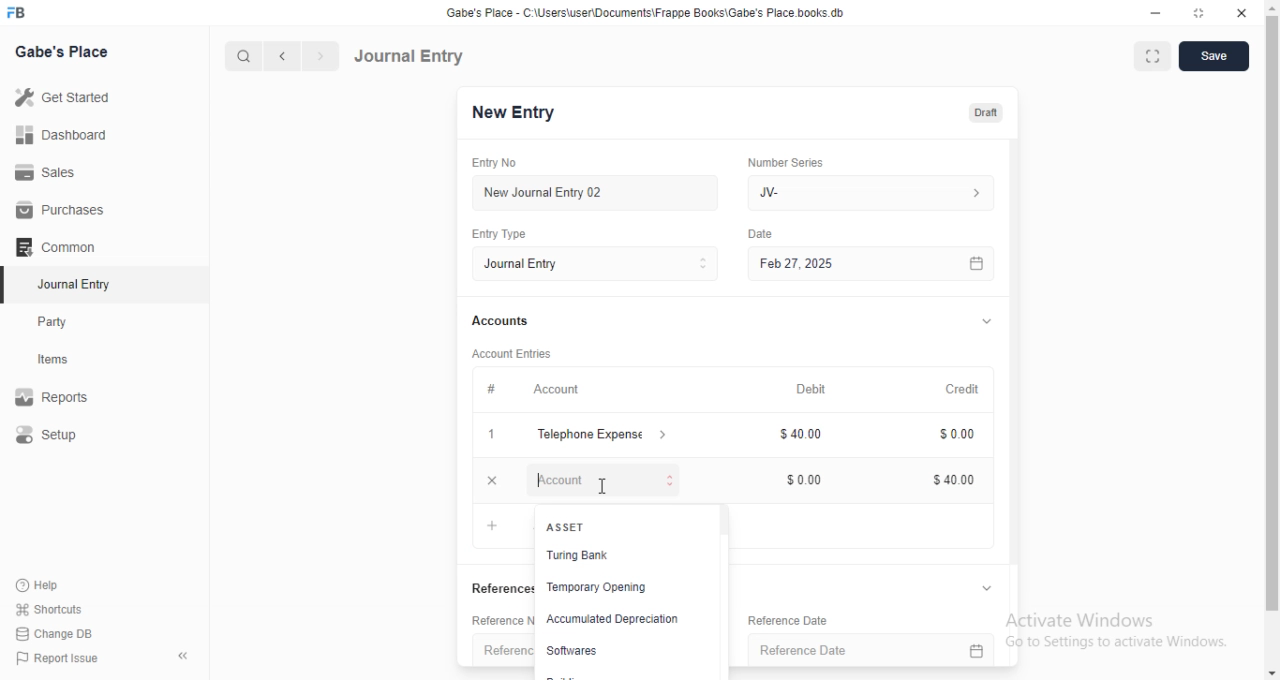 The height and width of the screenshot is (680, 1280). Describe the element at coordinates (527, 114) in the screenshot. I see `New entry` at that location.